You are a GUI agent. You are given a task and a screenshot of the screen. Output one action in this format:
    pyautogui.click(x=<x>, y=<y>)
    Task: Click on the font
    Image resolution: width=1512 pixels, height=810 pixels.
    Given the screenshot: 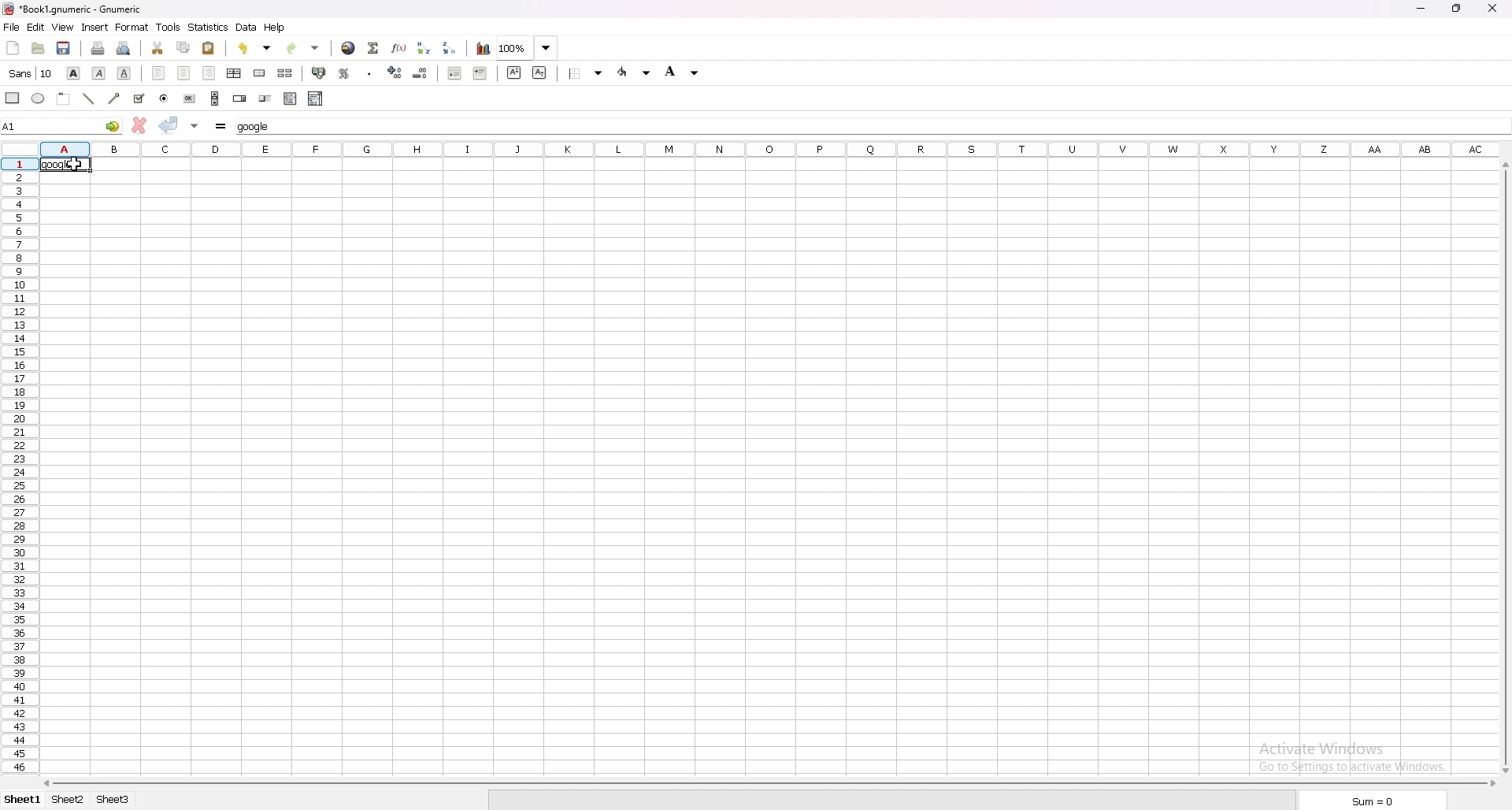 What is the action you would take?
    pyautogui.click(x=31, y=73)
    